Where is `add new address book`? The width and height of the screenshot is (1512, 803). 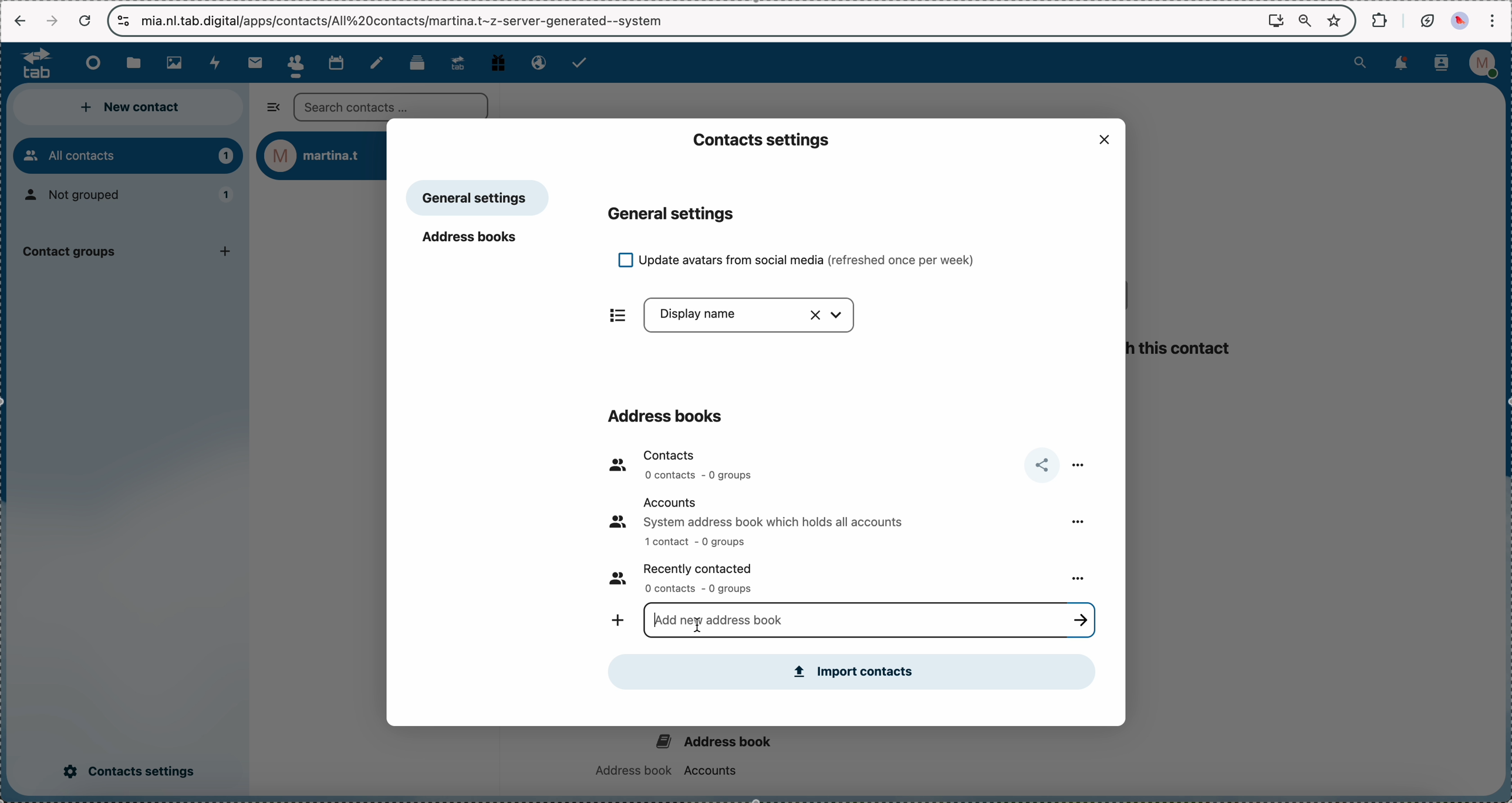 add new address book is located at coordinates (615, 622).